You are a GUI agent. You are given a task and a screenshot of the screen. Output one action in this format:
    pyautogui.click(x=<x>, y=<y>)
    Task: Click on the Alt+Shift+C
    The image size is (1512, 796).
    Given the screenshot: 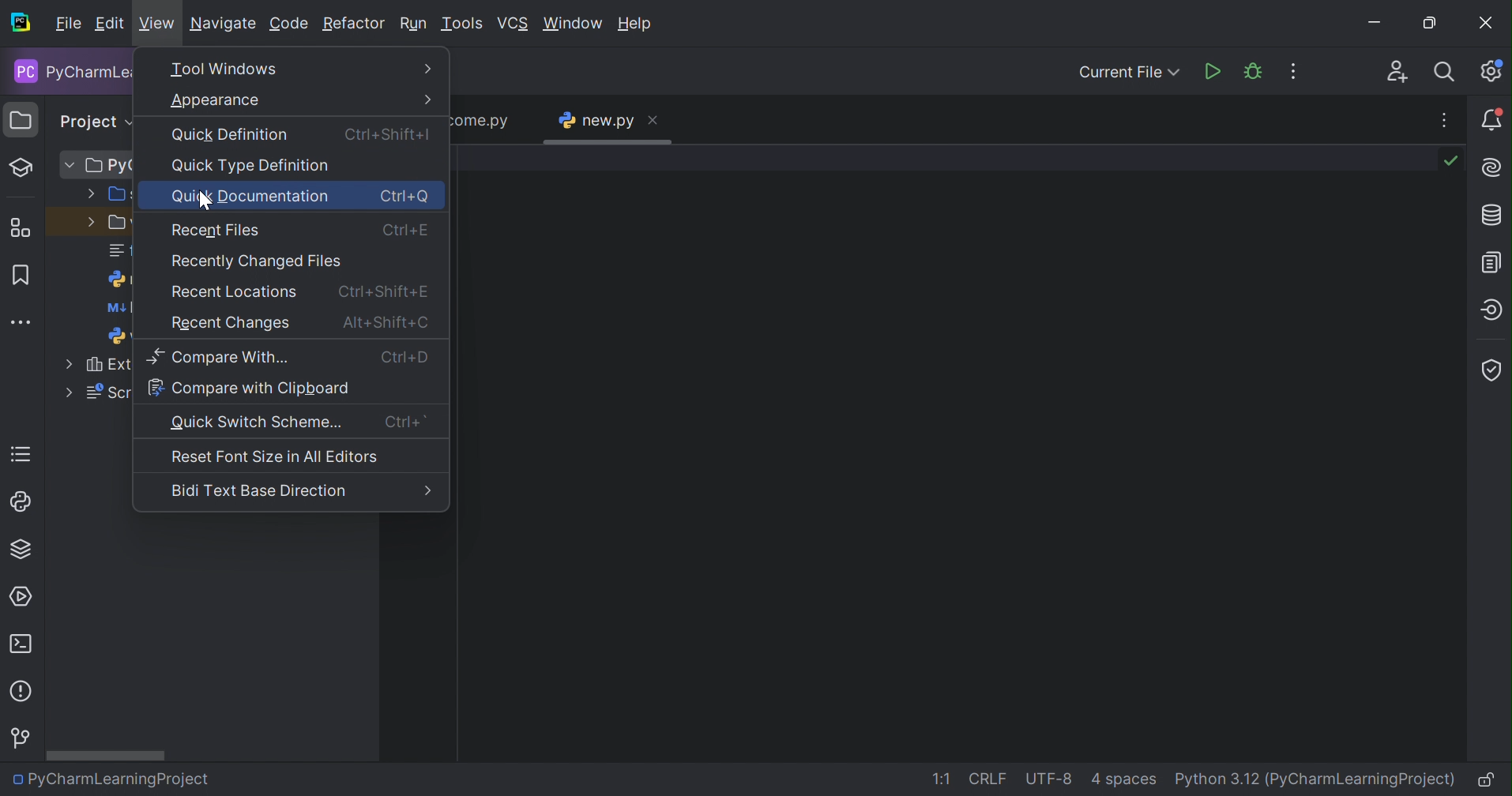 What is the action you would take?
    pyautogui.click(x=386, y=324)
    